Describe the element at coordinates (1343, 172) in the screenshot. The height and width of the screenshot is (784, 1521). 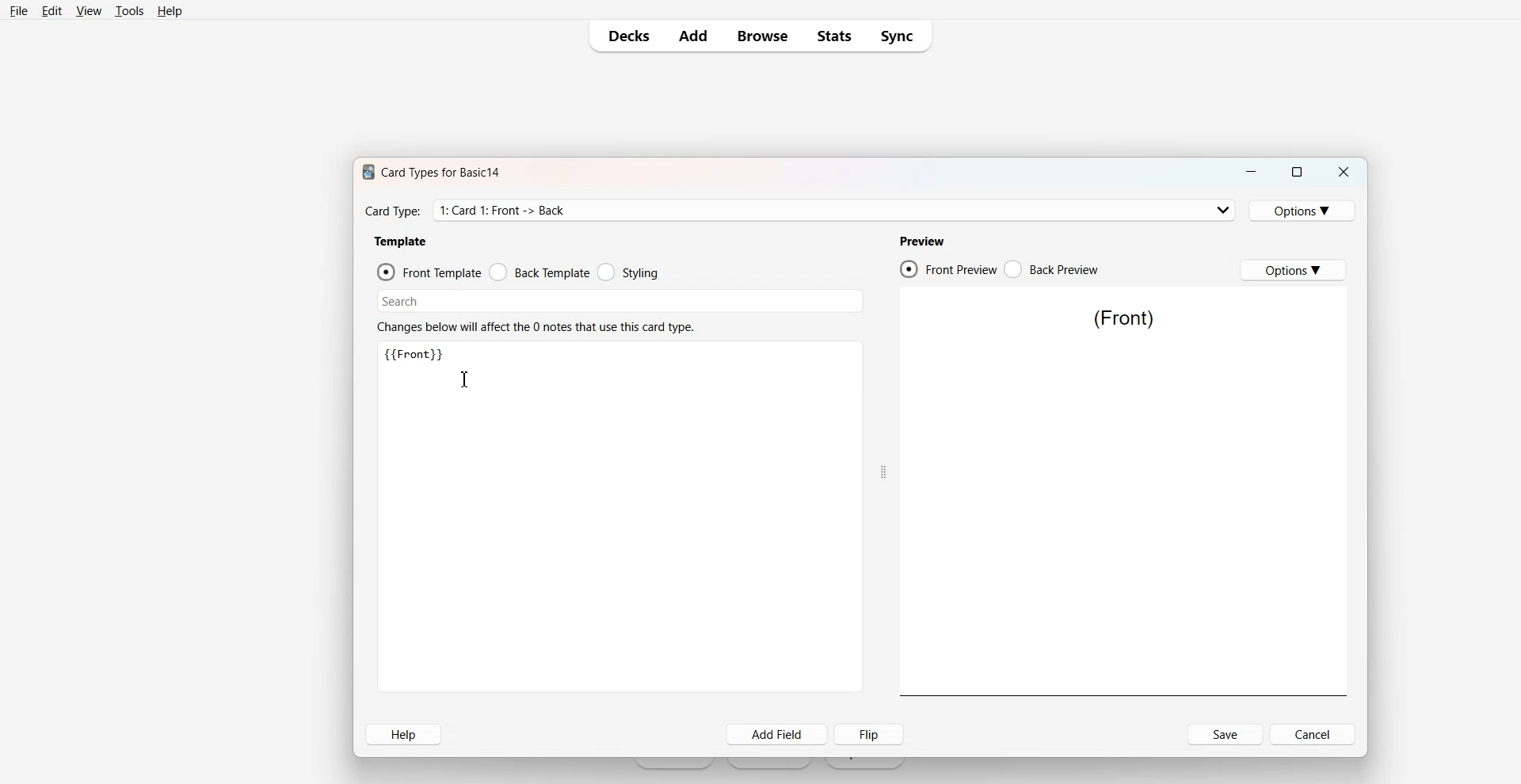
I see `Close` at that location.